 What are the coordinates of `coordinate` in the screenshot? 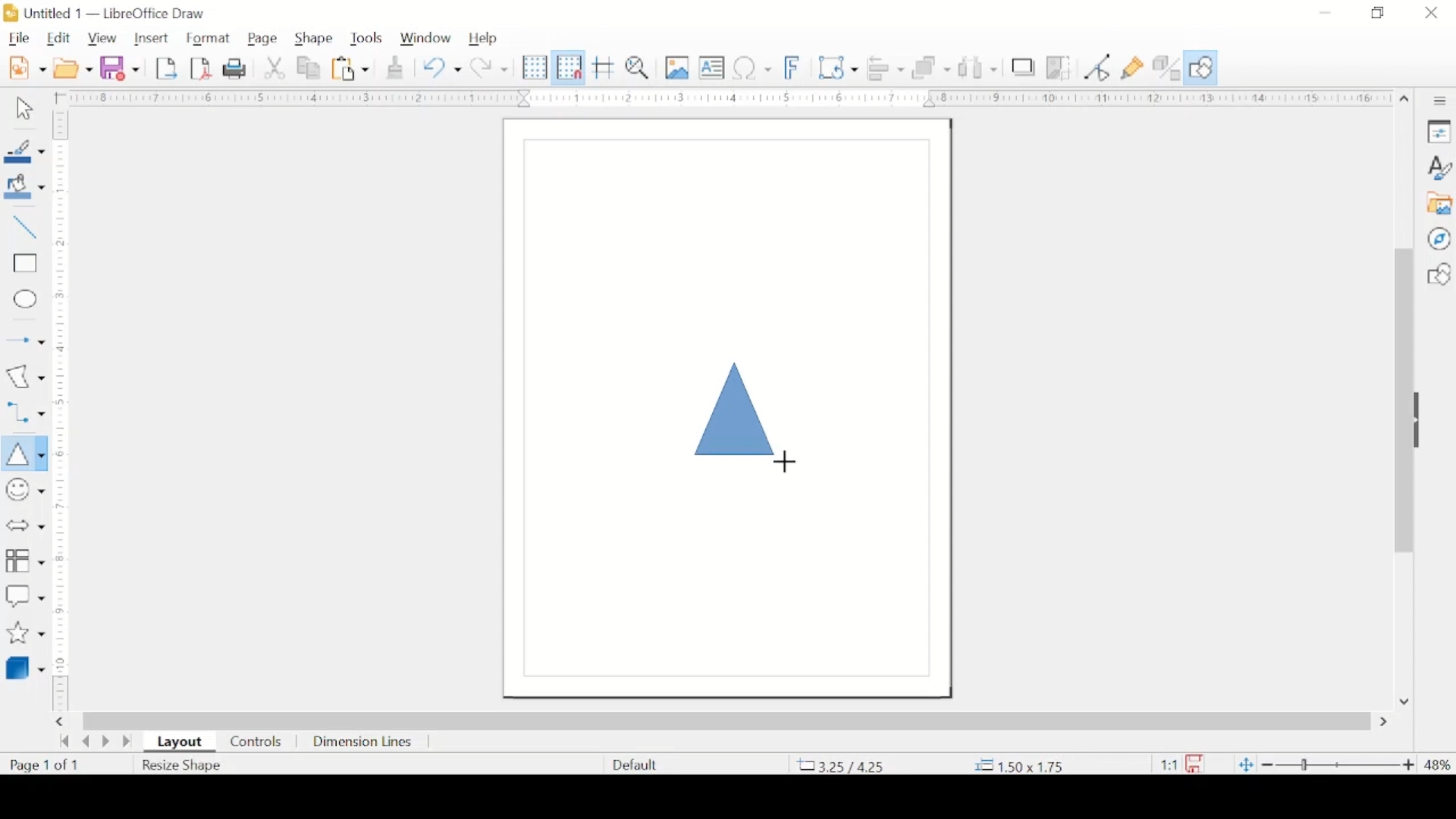 It's located at (1019, 765).